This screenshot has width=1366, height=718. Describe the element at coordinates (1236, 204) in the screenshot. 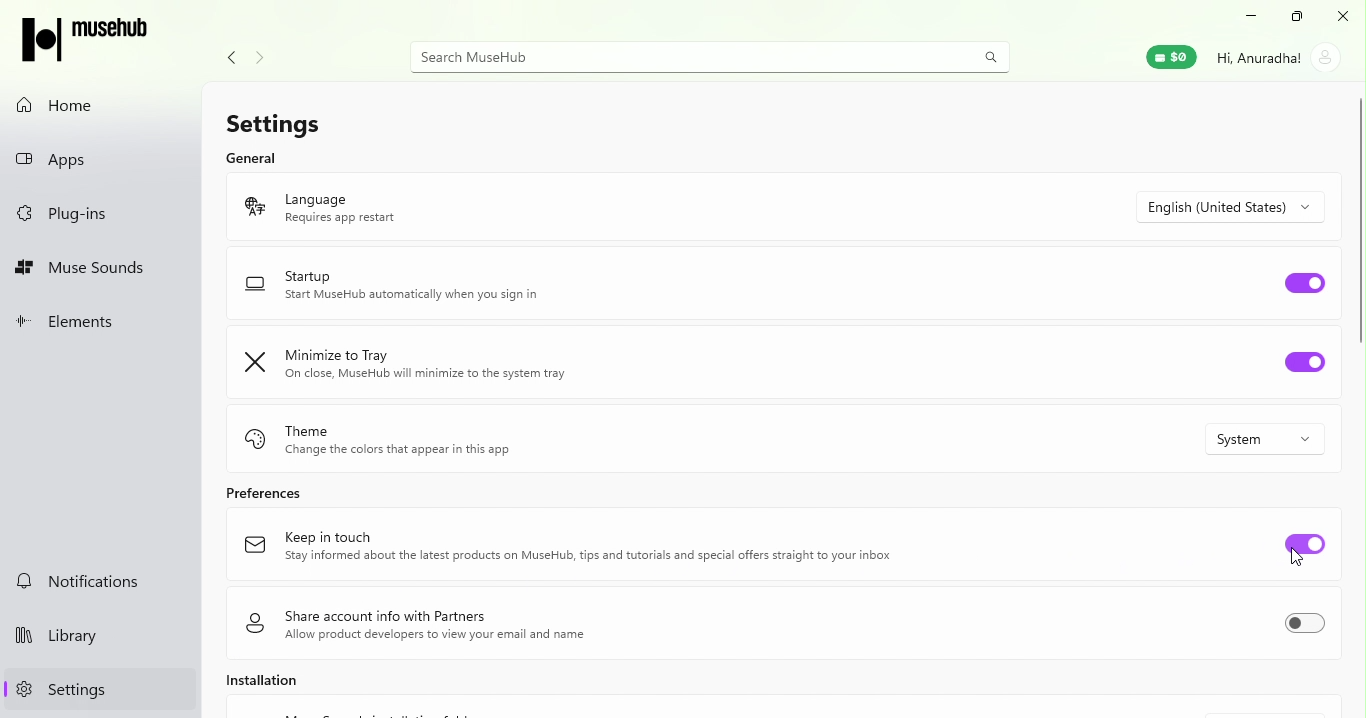

I see `Drop down` at that location.